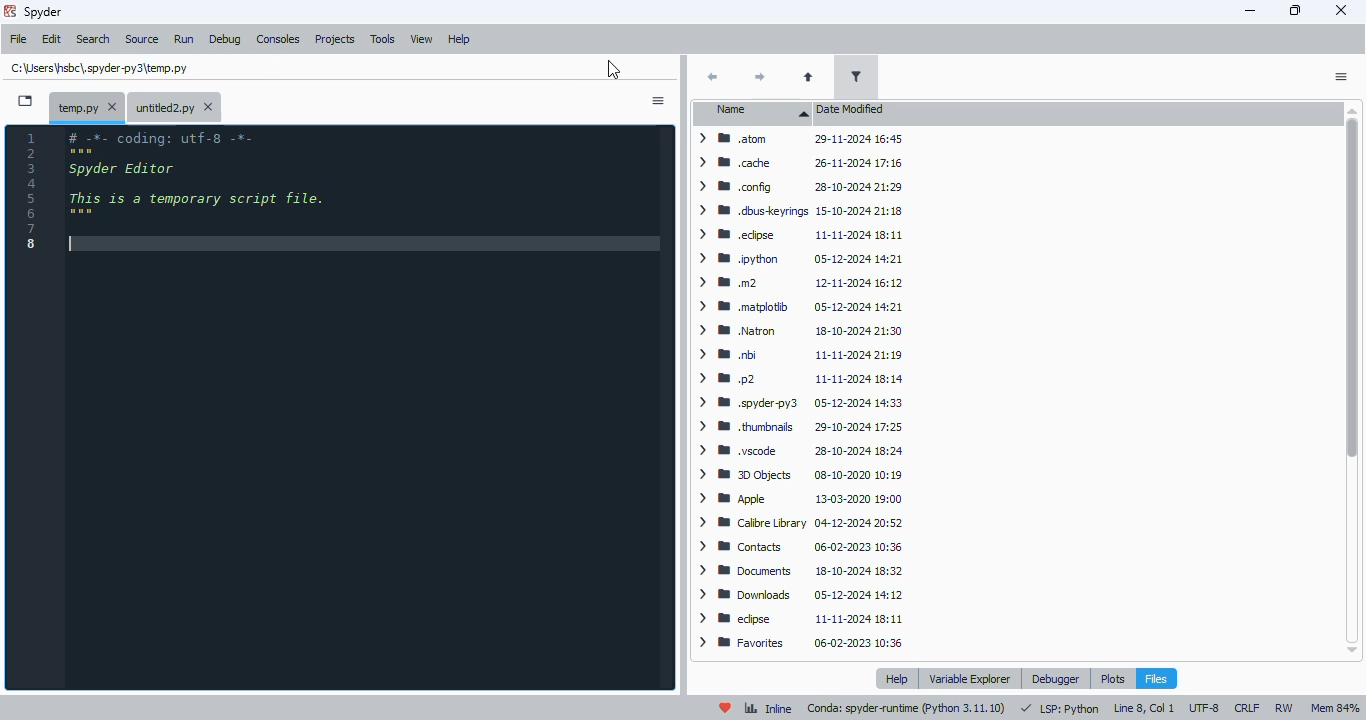  Describe the element at coordinates (906, 710) in the screenshot. I see `conda: spyder-runtime (pyton 3. 11. 10)` at that location.